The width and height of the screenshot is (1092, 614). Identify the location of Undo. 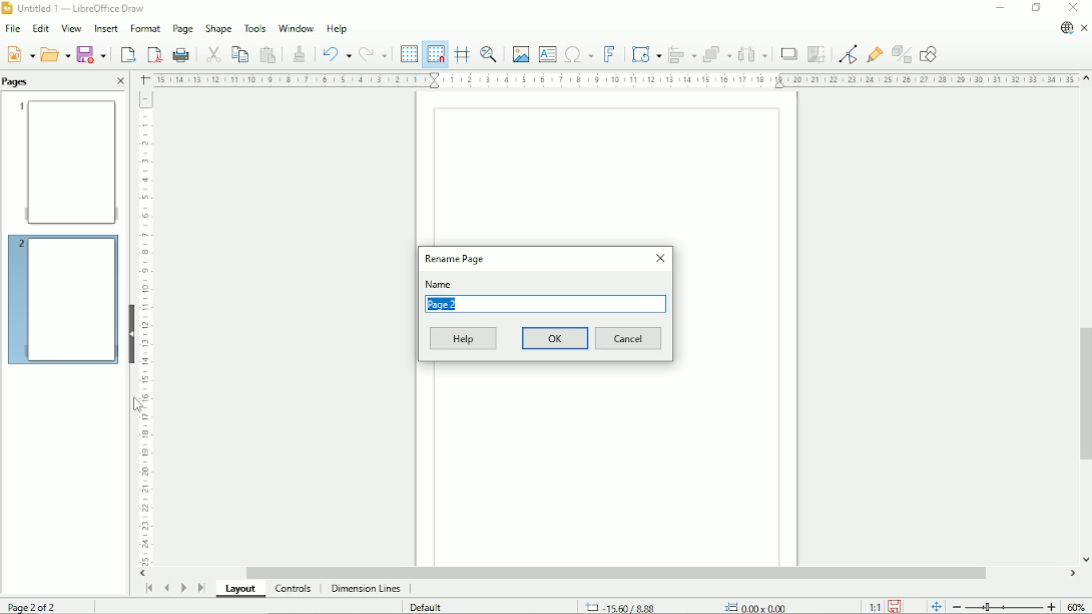
(334, 53).